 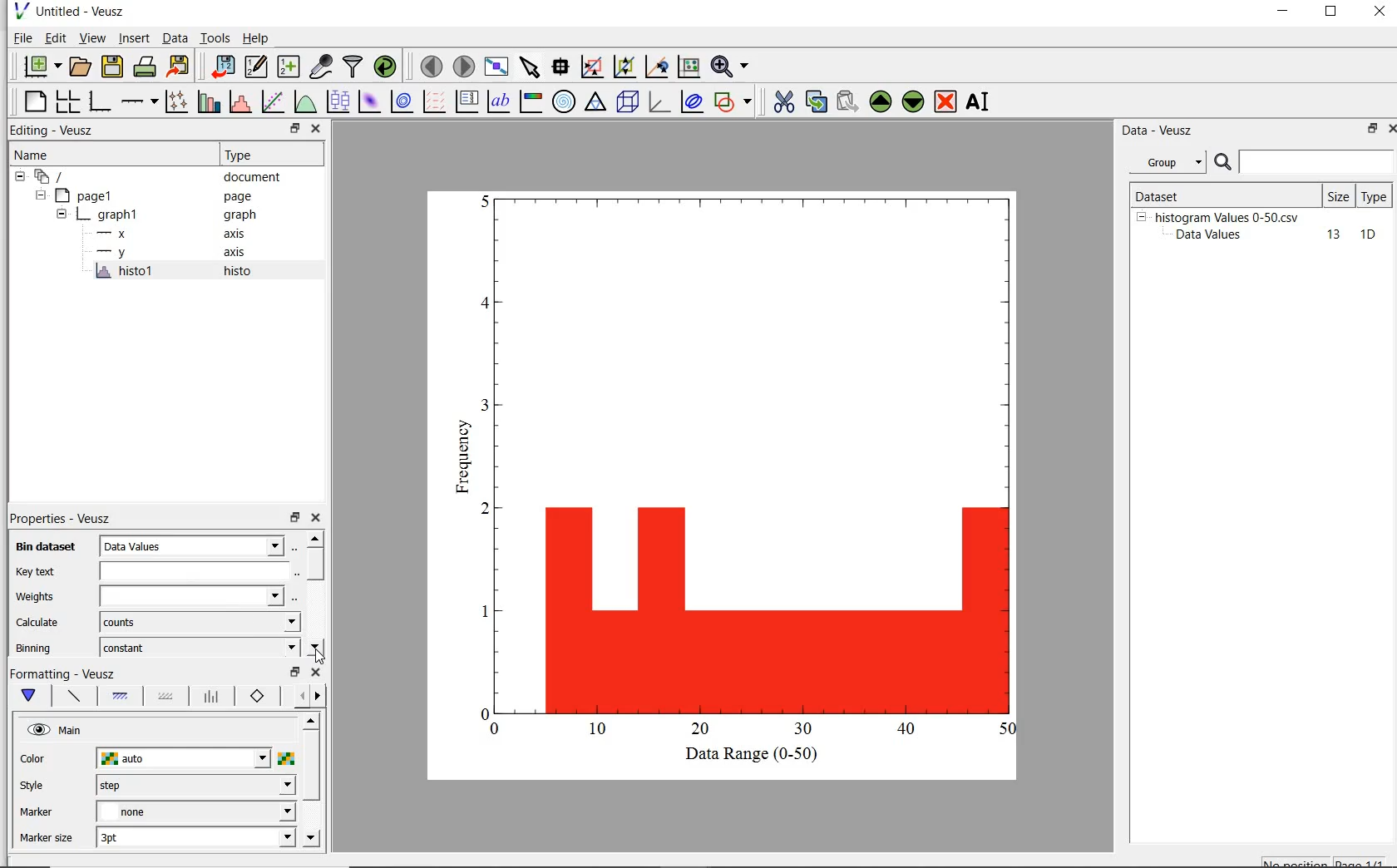 What do you see at coordinates (1227, 216) in the screenshot?
I see `histogram Values 0-50.csv` at bounding box center [1227, 216].